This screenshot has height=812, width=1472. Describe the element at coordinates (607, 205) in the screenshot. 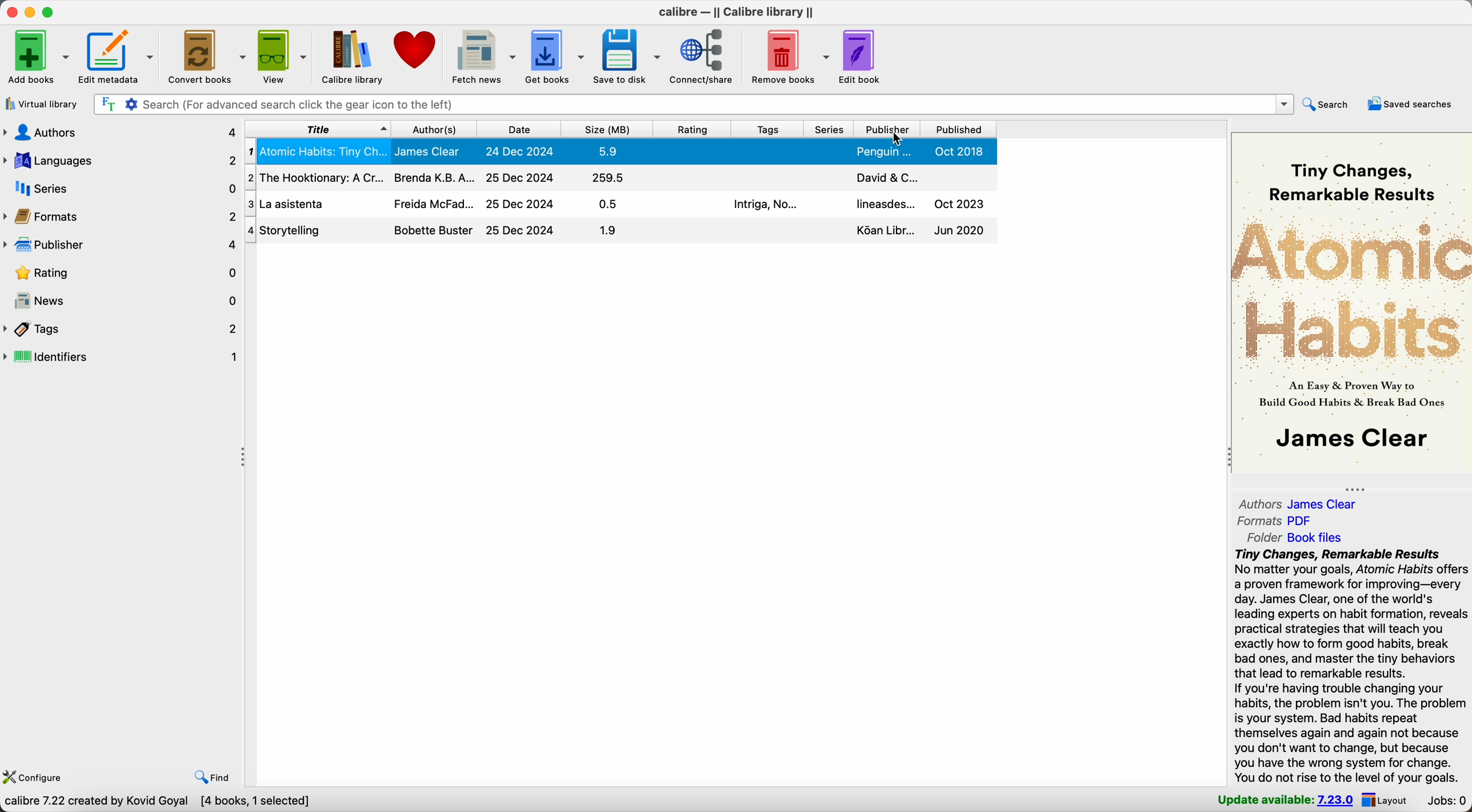

I see `0.5` at that location.